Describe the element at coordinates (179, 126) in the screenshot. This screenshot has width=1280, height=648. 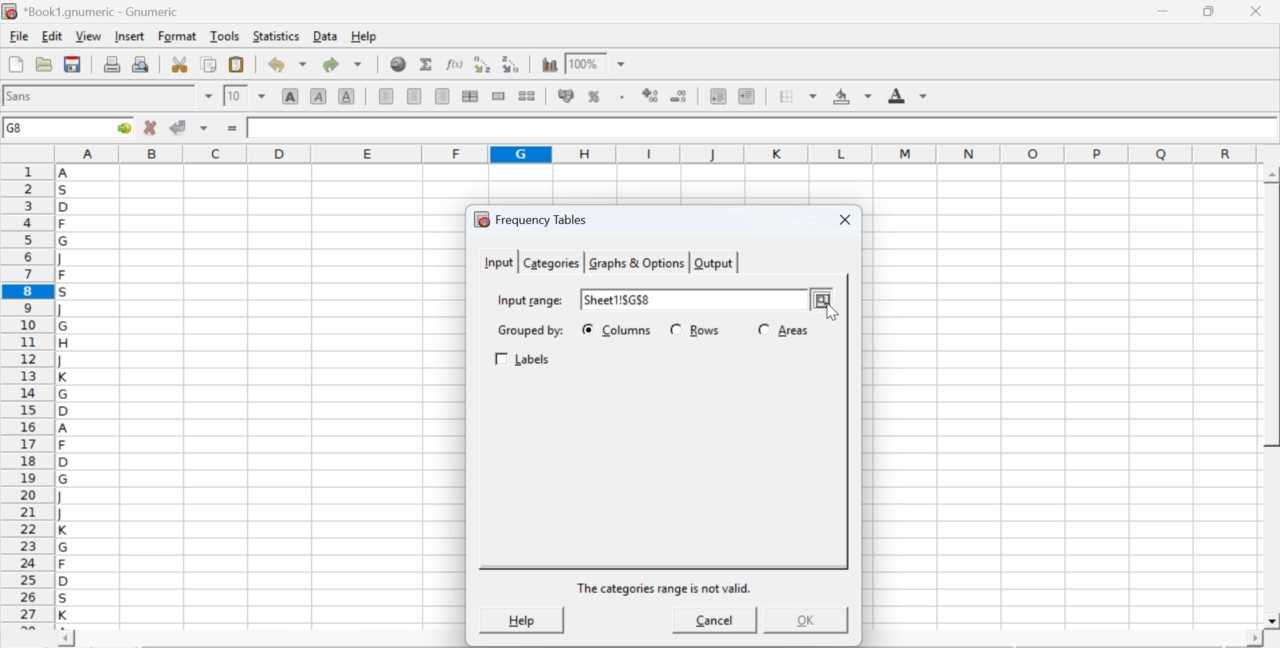
I see `accept changes` at that location.